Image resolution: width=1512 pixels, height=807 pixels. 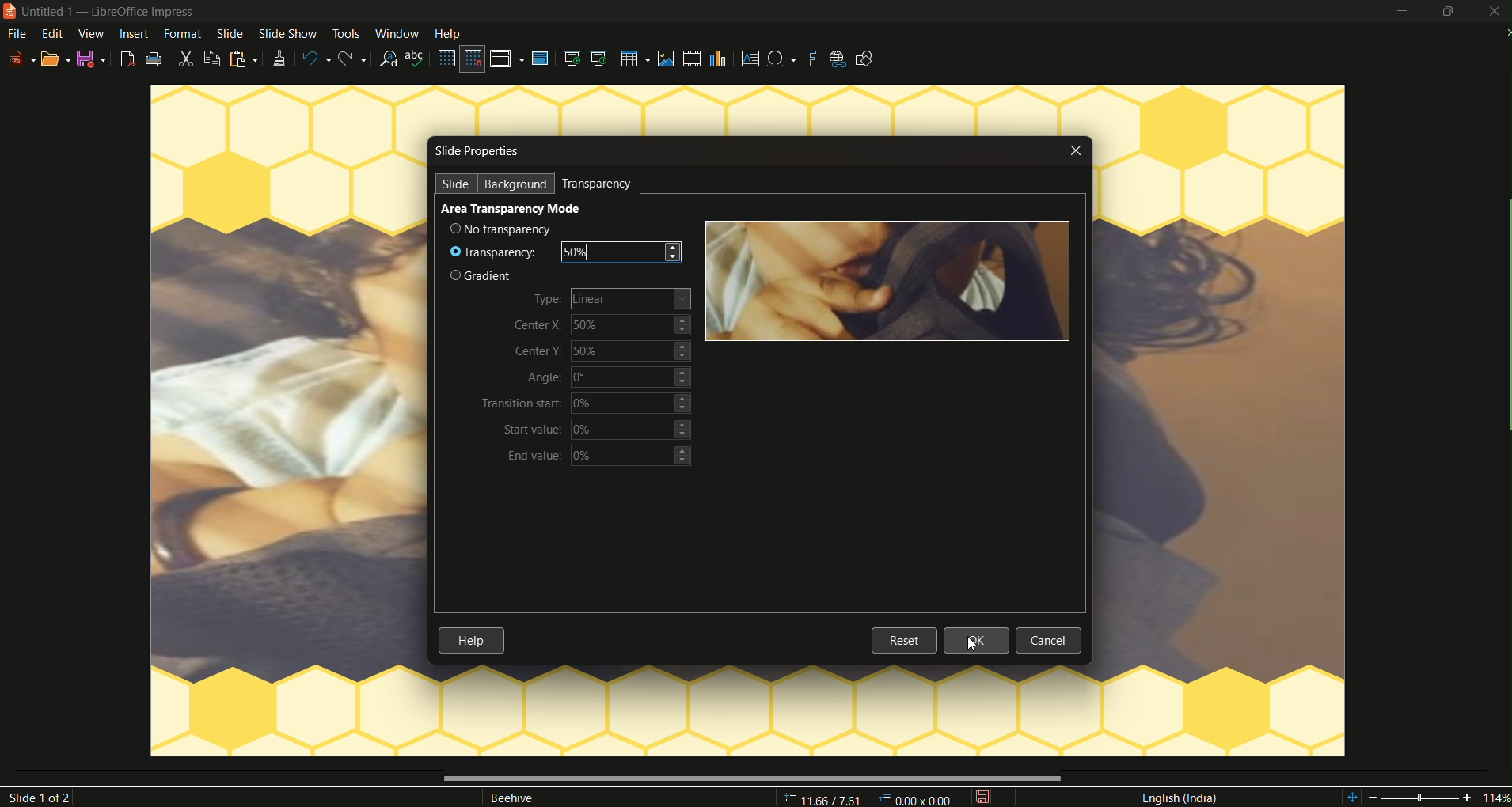 What do you see at coordinates (1078, 150) in the screenshot?
I see `close` at bounding box center [1078, 150].